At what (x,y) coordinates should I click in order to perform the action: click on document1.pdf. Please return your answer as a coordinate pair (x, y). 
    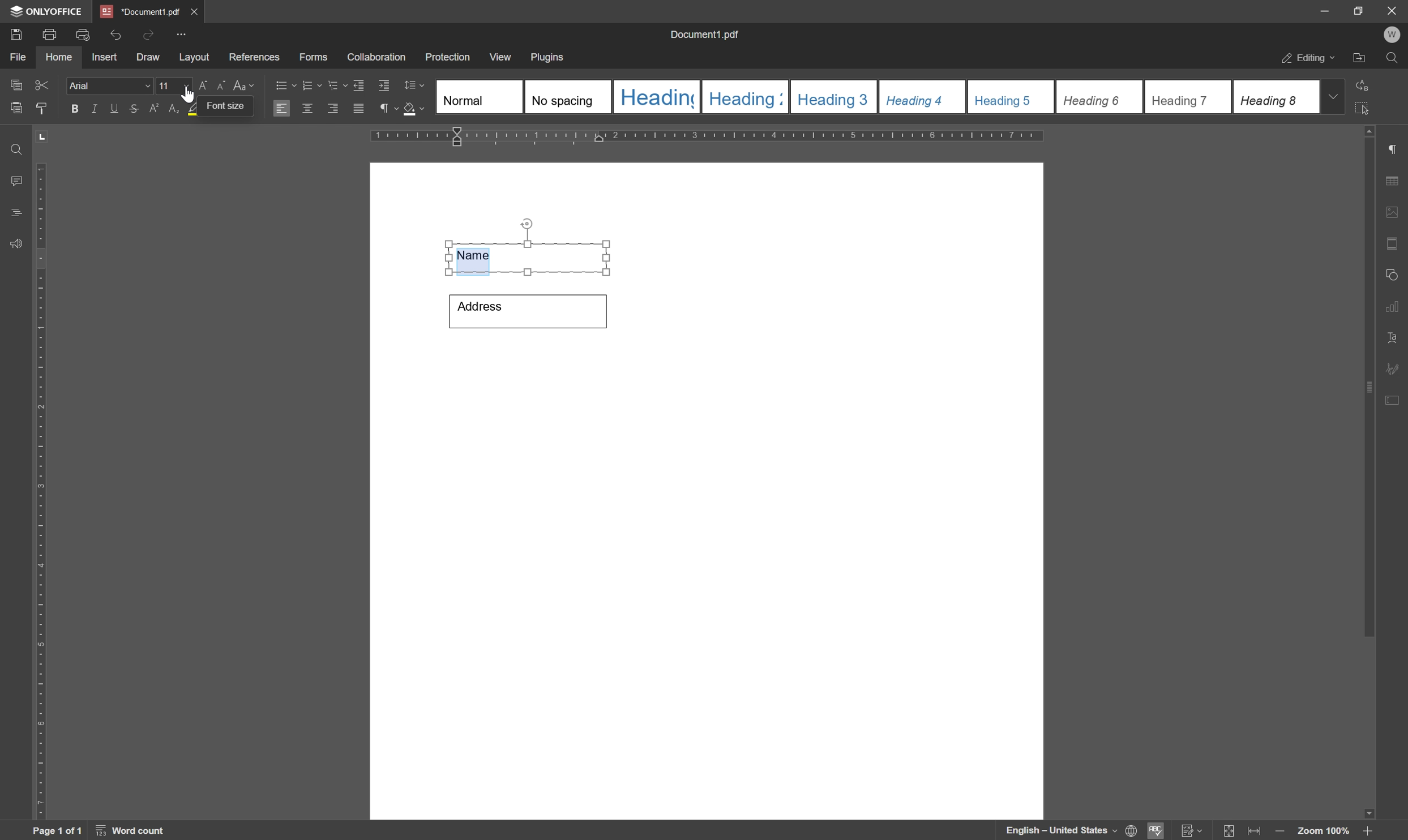
    Looking at the image, I should click on (707, 36).